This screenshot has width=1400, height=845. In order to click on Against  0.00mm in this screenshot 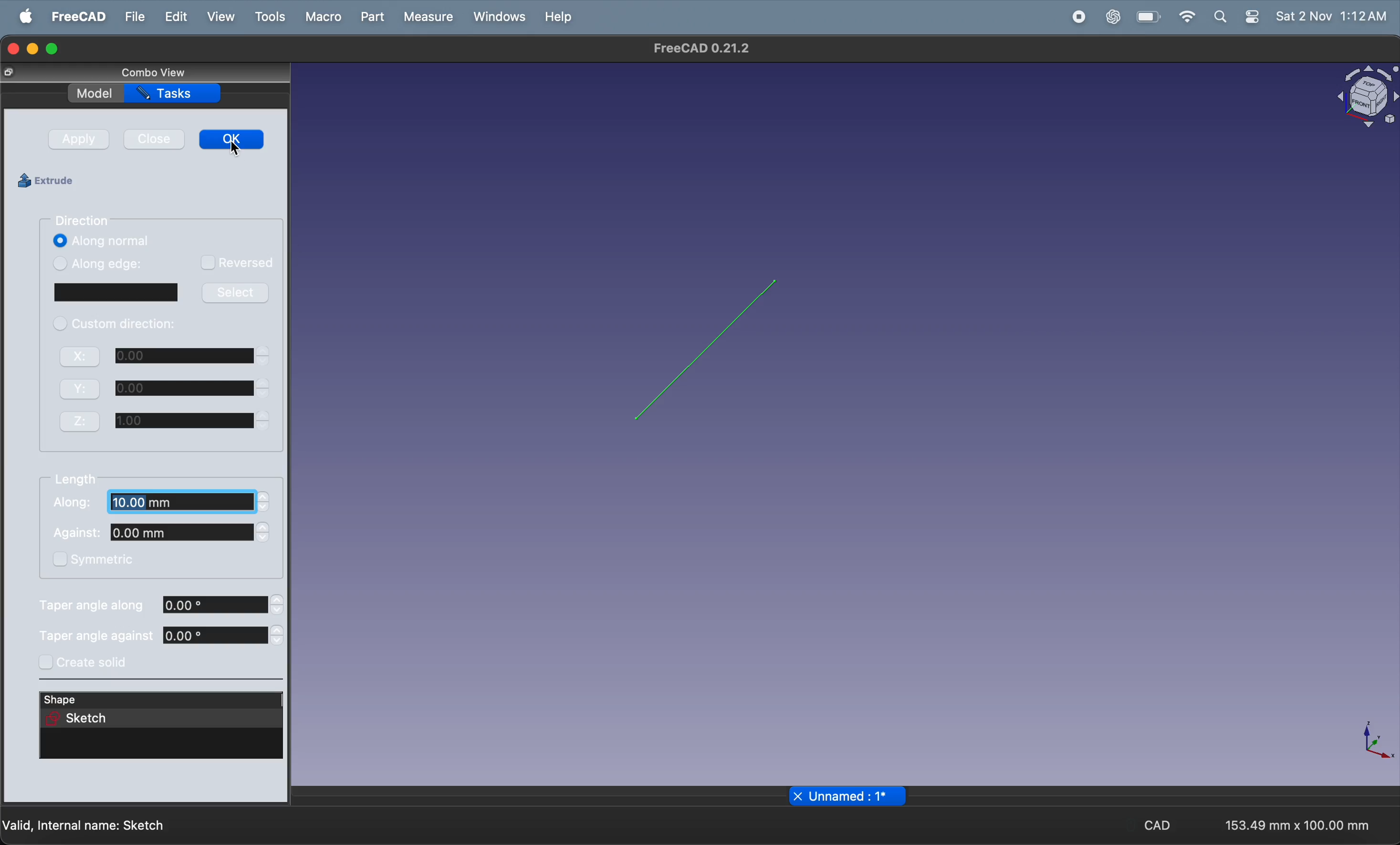, I will do `click(157, 532)`.